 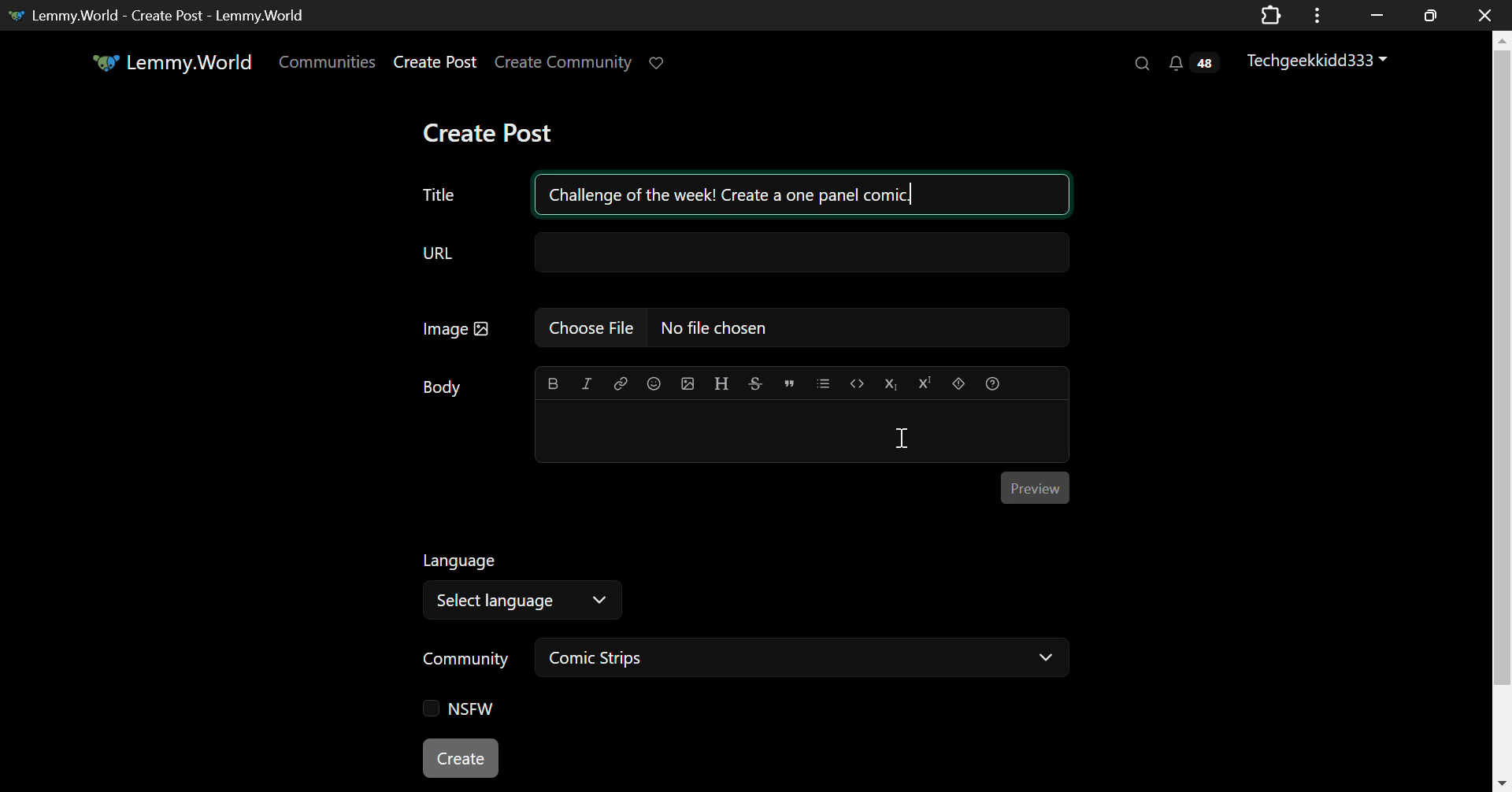 I want to click on Lemmy.World- Create Post -Lemmy.World, so click(x=162, y=13).